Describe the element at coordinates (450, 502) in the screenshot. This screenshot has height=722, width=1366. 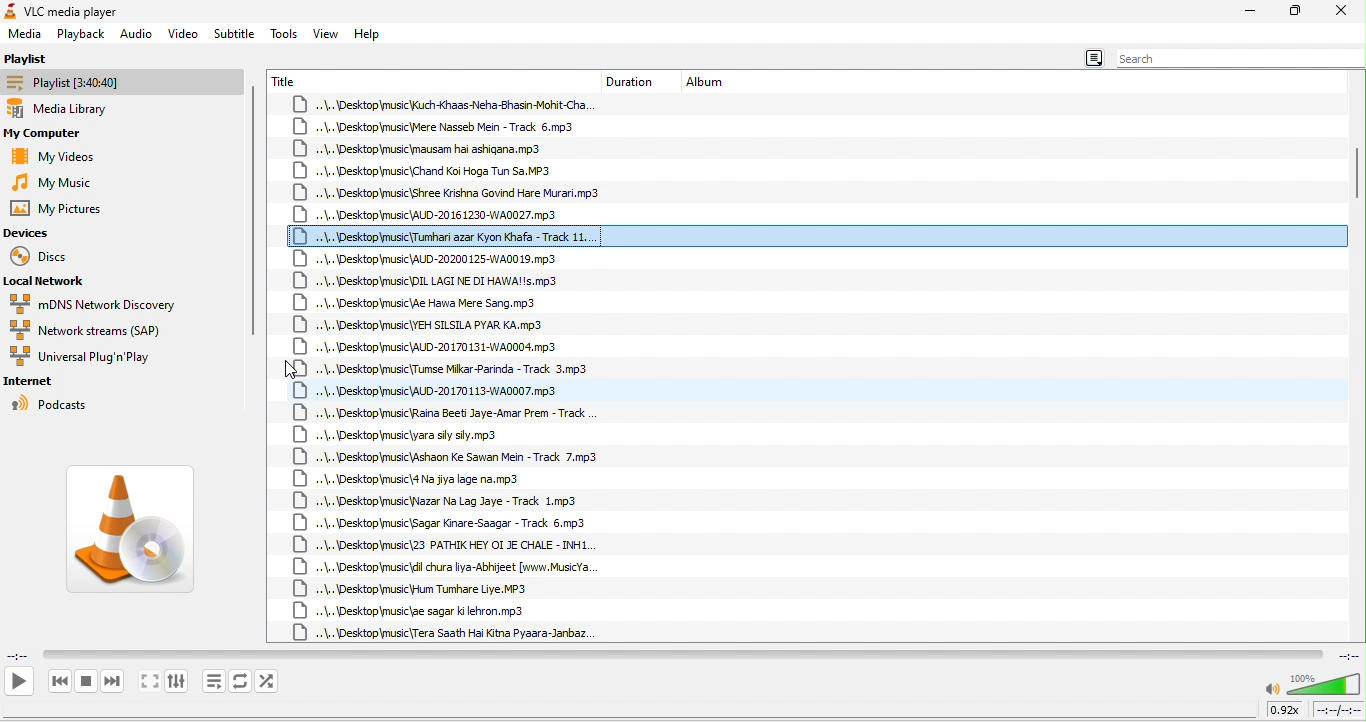
I see `\..\Desktop\music\Nazar Na Lag Jaye - Track 1.mp3` at that location.